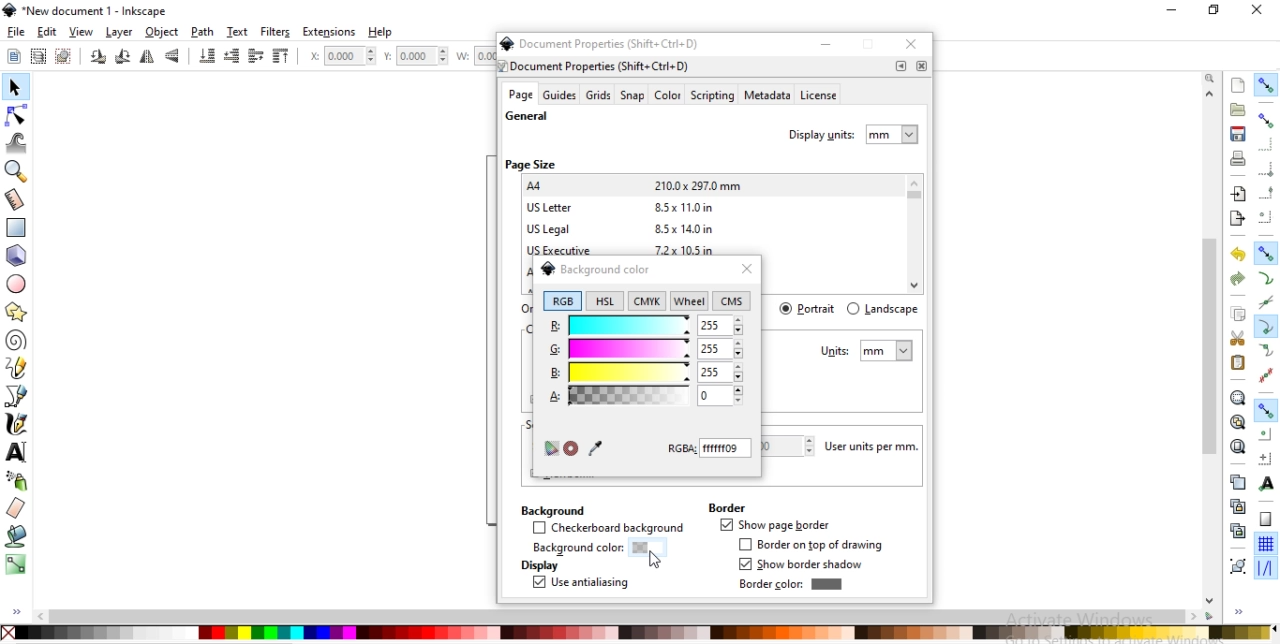  What do you see at coordinates (16, 564) in the screenshot?
I see `create and edit gradients` at bounding box center [16, 564].